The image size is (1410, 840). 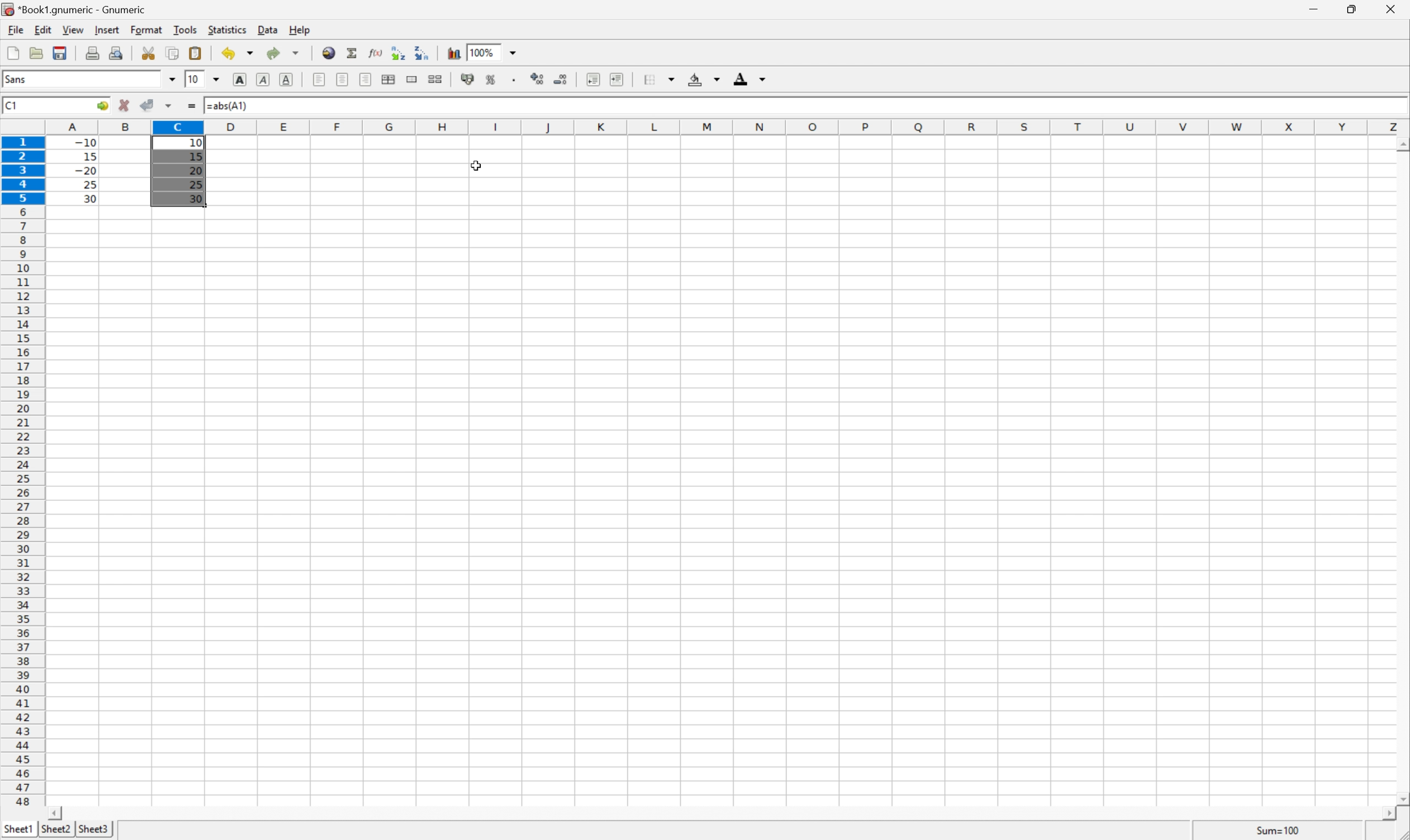 What do you see at coordinates (89, 185) in the screenshot?
I see `25` at bounding box center [89, 185].